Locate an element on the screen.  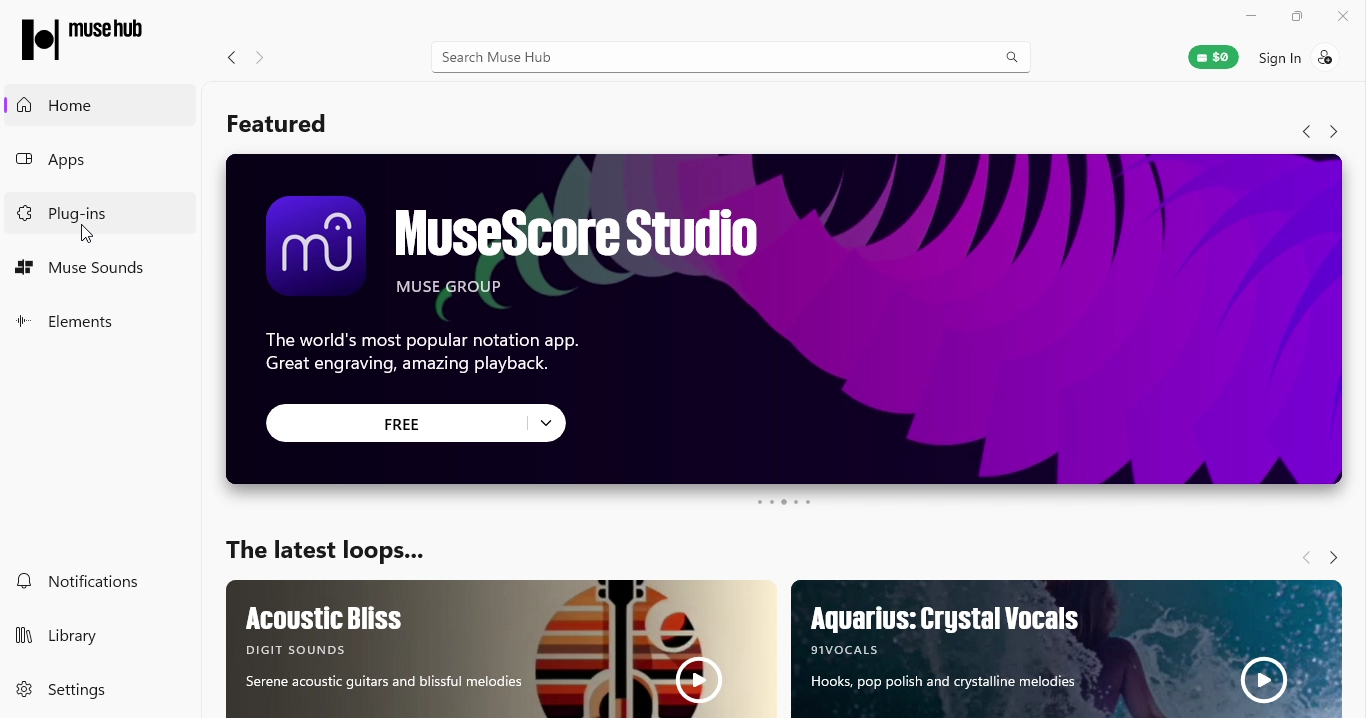
Featured is located at coordinates (279, 127).